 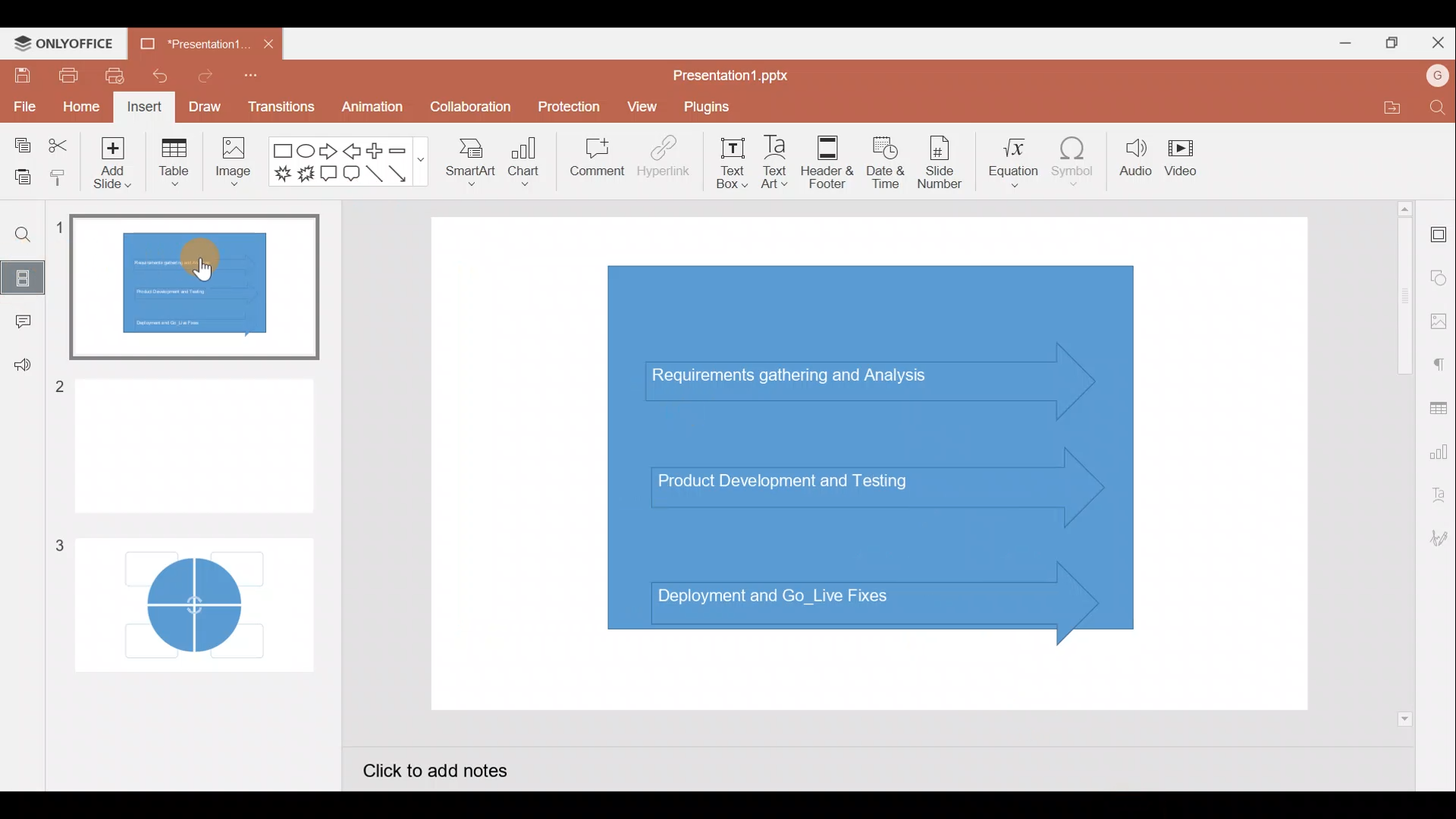 What do you see at coordinates (279, 151) in the screenshot?
I see `Rectangle` at bounding box center [279, 151].